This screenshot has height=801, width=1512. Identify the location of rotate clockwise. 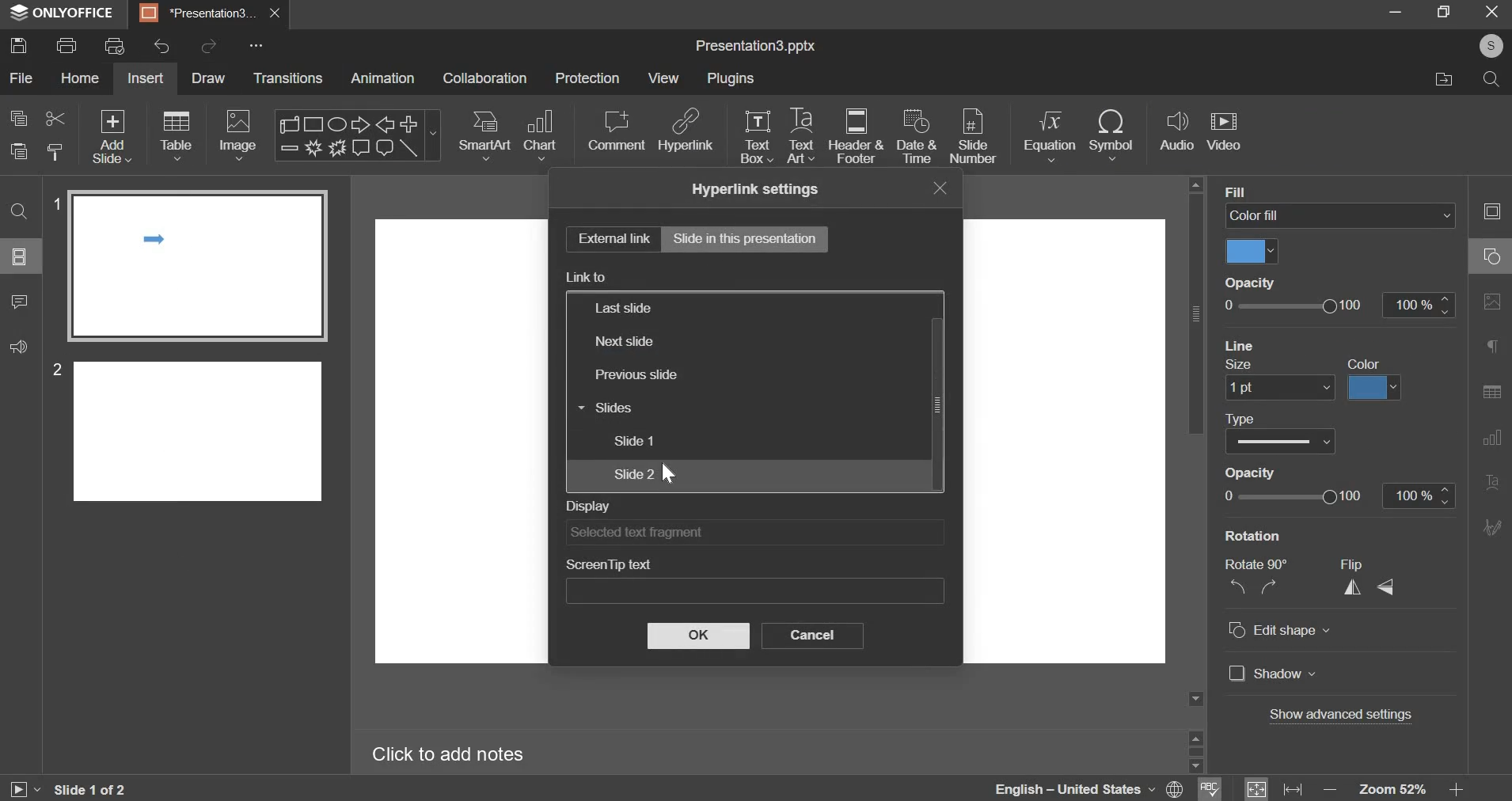
(1267, 586).